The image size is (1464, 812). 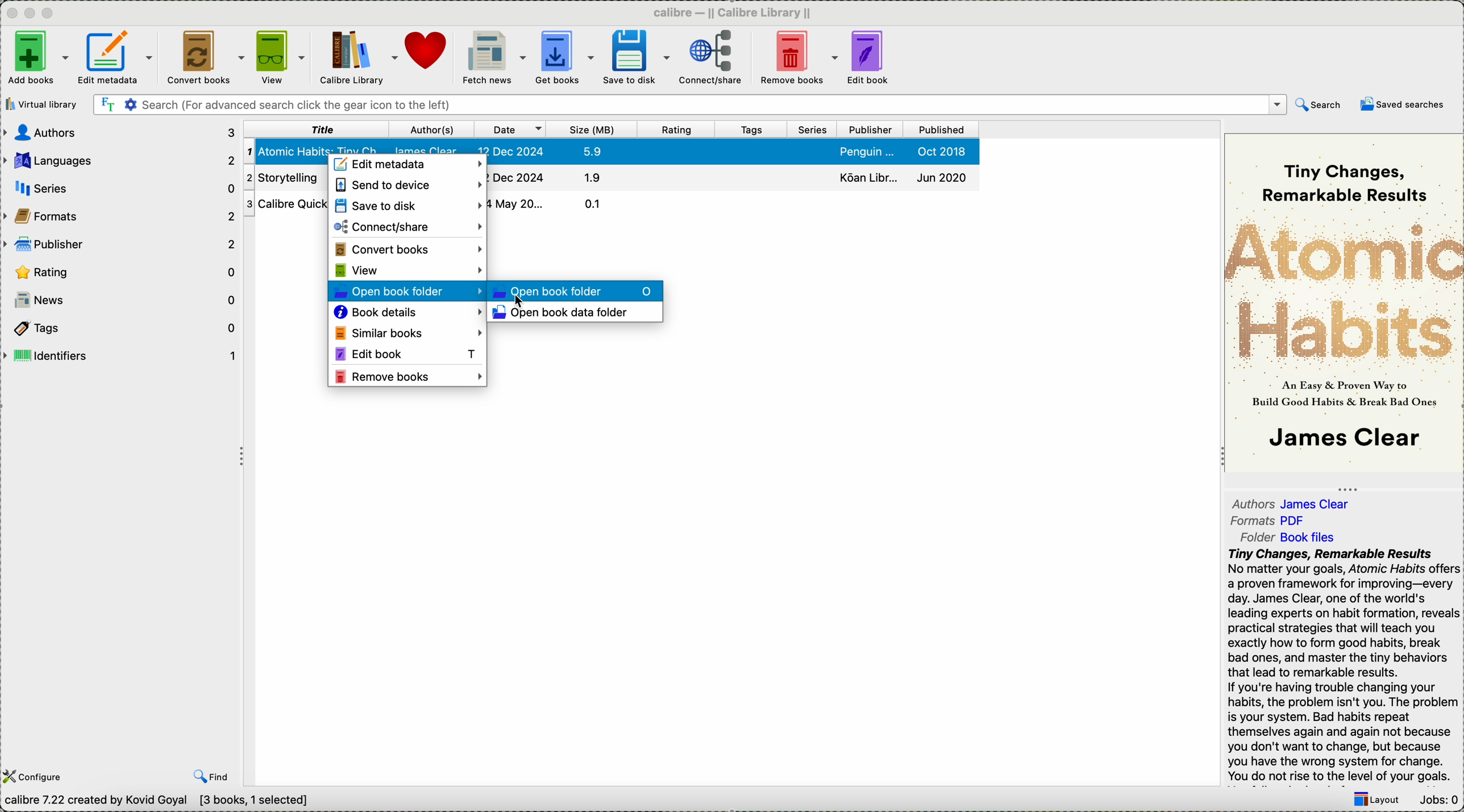 What do you see at coordinates (211, 776) in the screenshot?
I see `find` at bounding box center [211, 776].